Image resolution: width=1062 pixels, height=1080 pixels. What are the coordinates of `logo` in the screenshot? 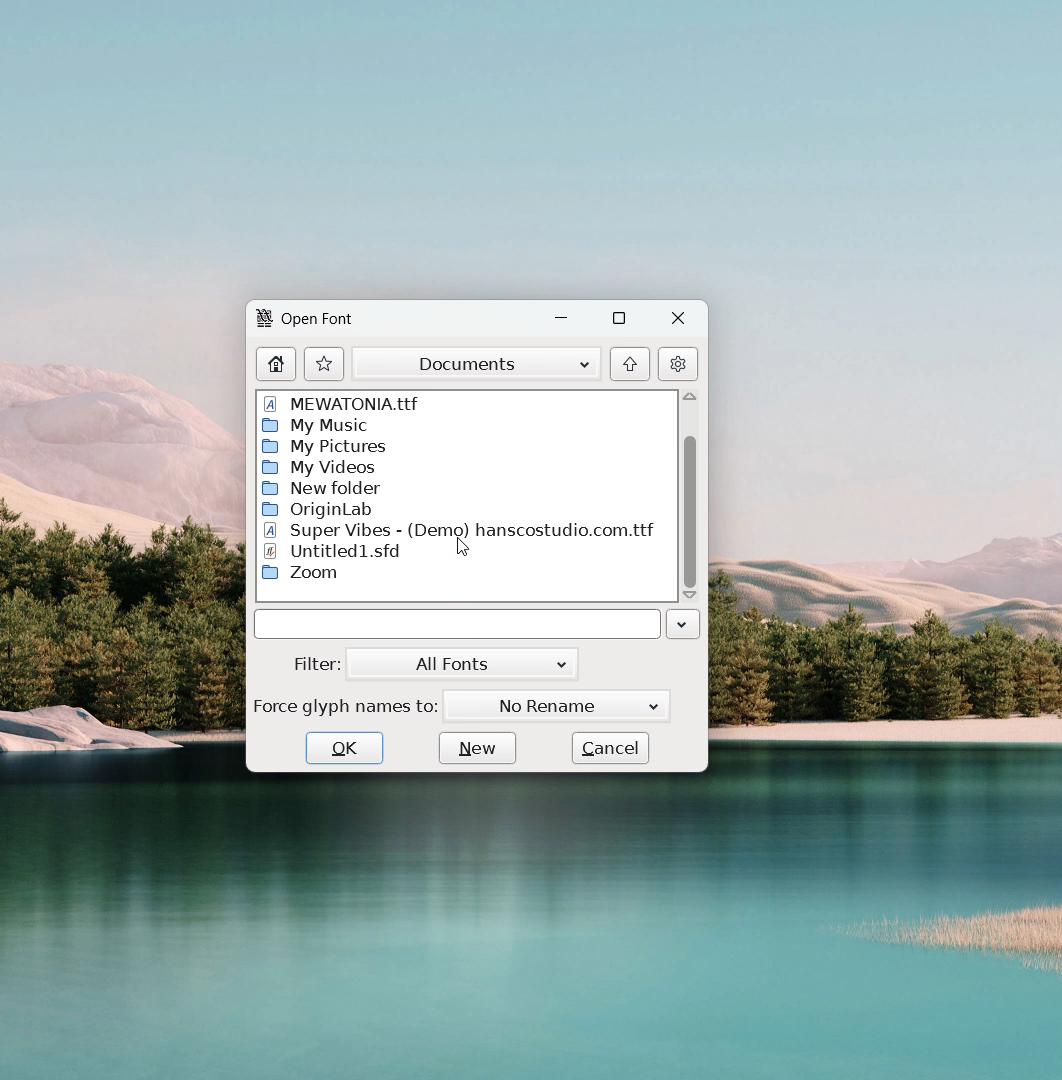 It's located at (263, 318).